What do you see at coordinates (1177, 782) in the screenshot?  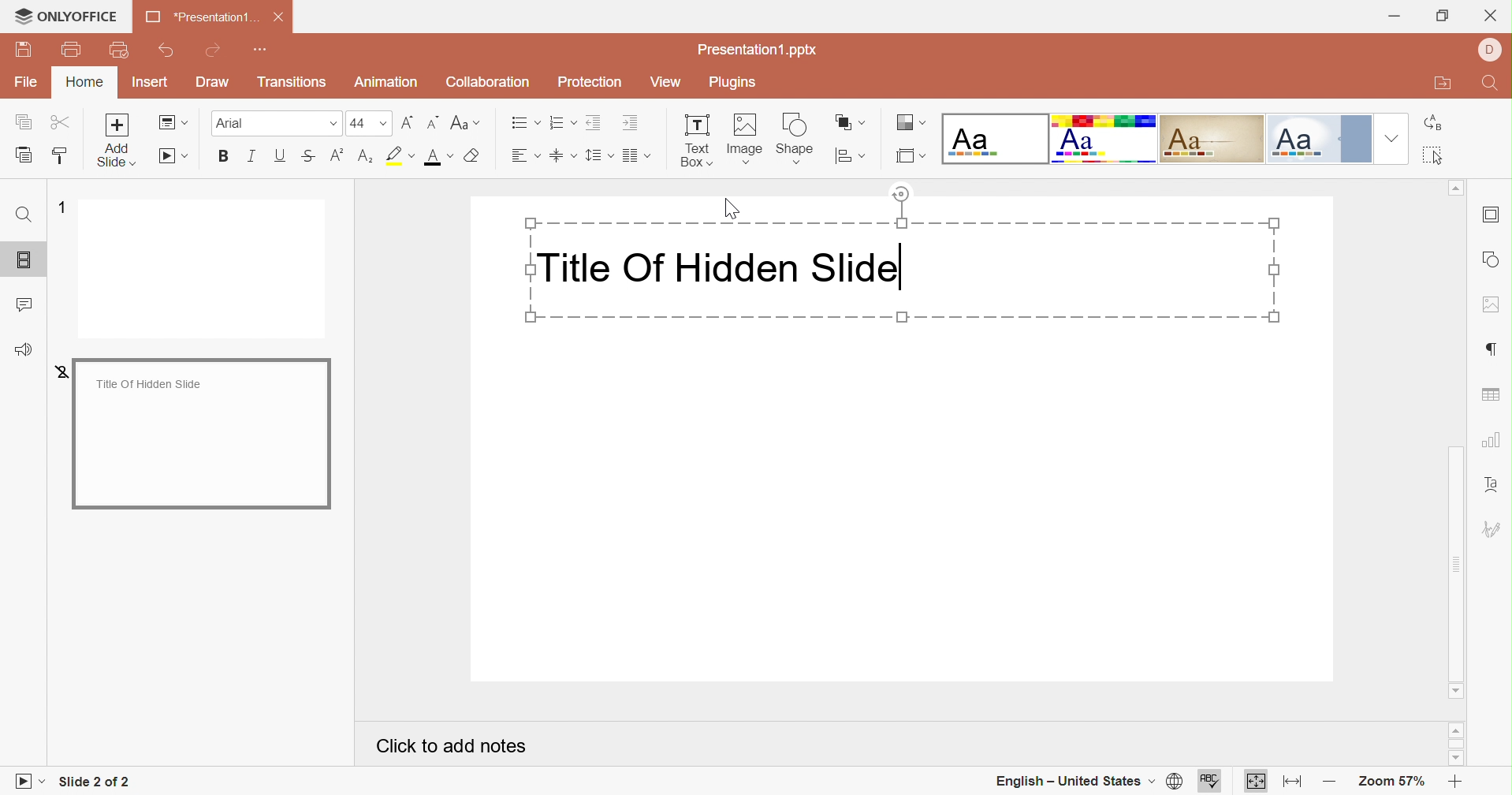 I see `Set document language` at bounding box center [1177, 782].